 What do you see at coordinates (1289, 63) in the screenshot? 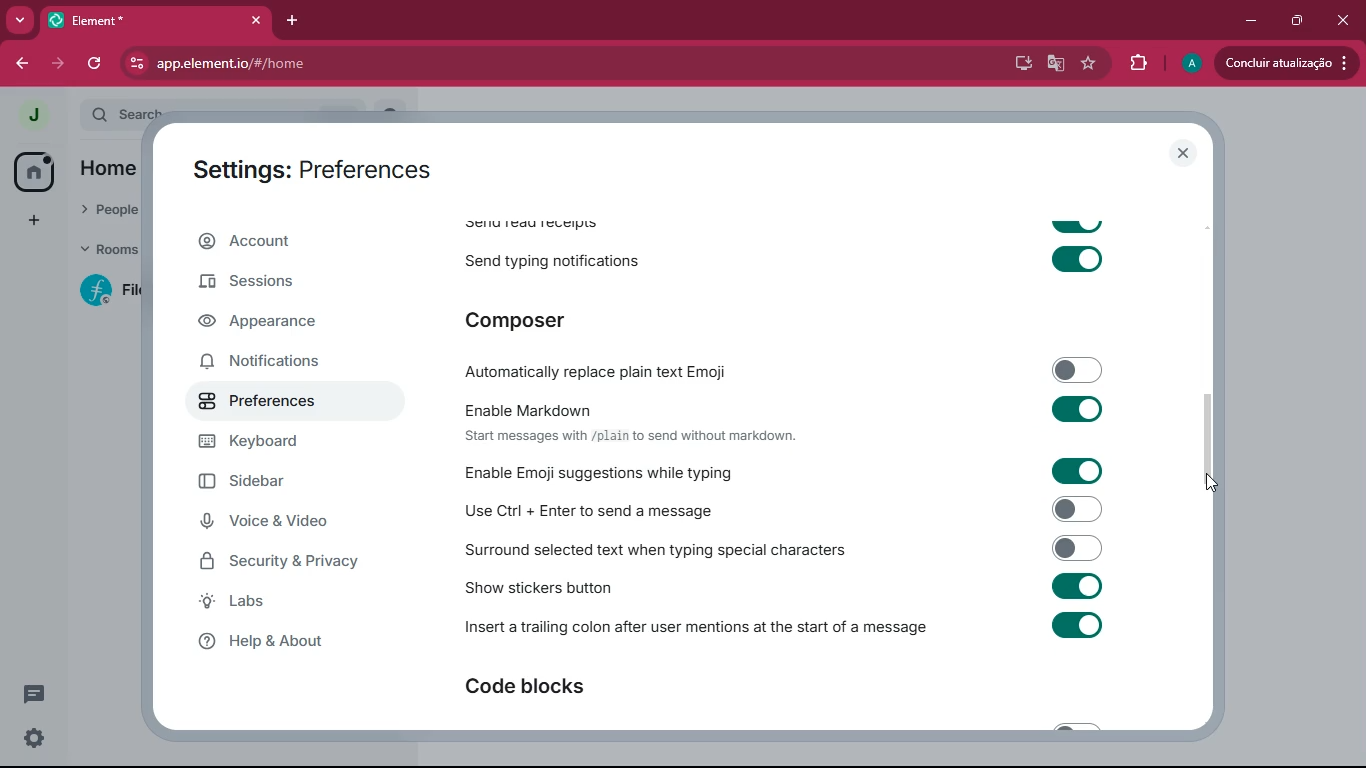
I see `Update` at bounding box center [1289, 63].